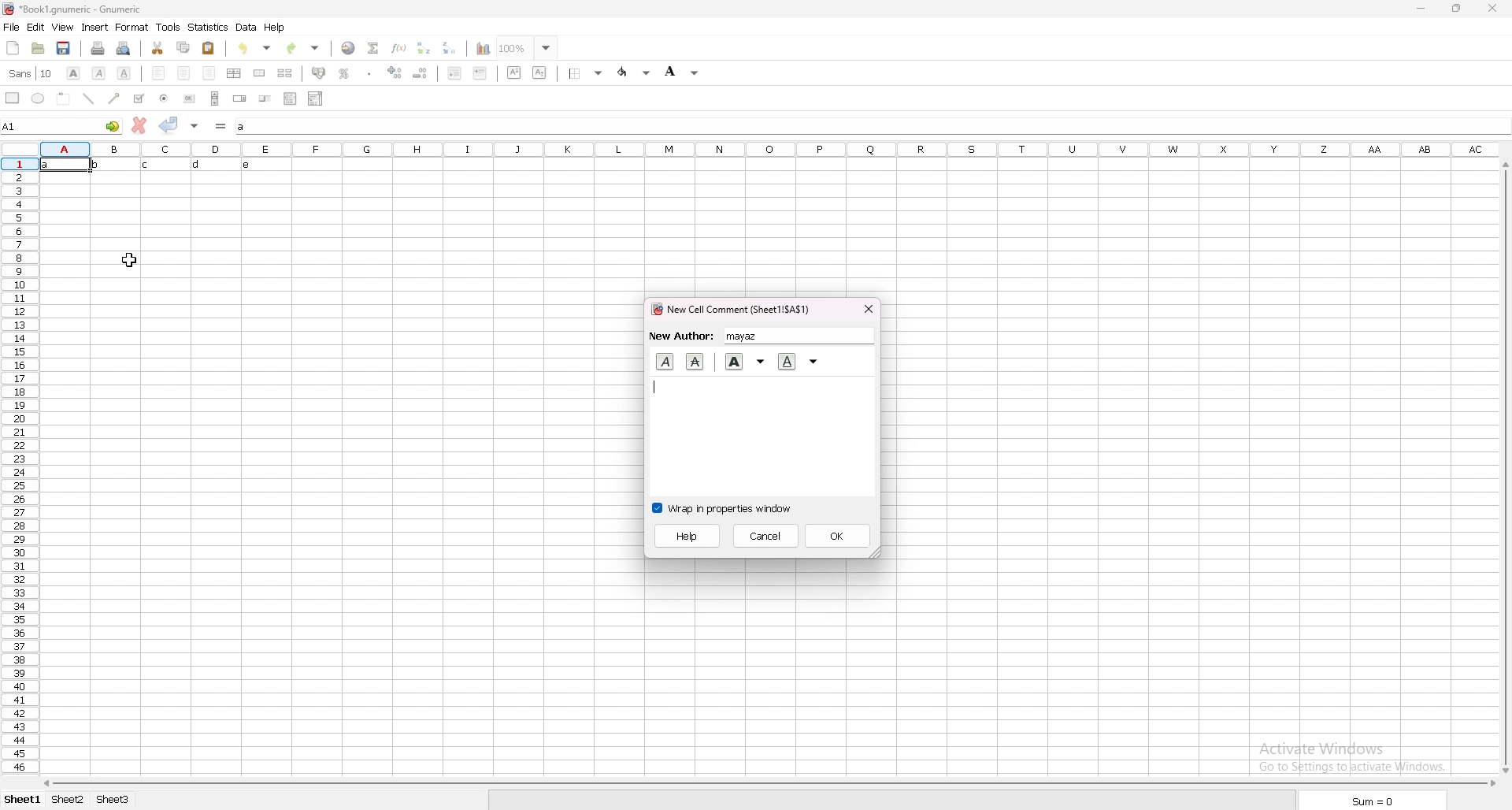 The width and height of the screenshot is (1512, 810). What do you see at coordinates (539, 73) in the screenshot?
I see `subscript` at bounding box center [539, 73].